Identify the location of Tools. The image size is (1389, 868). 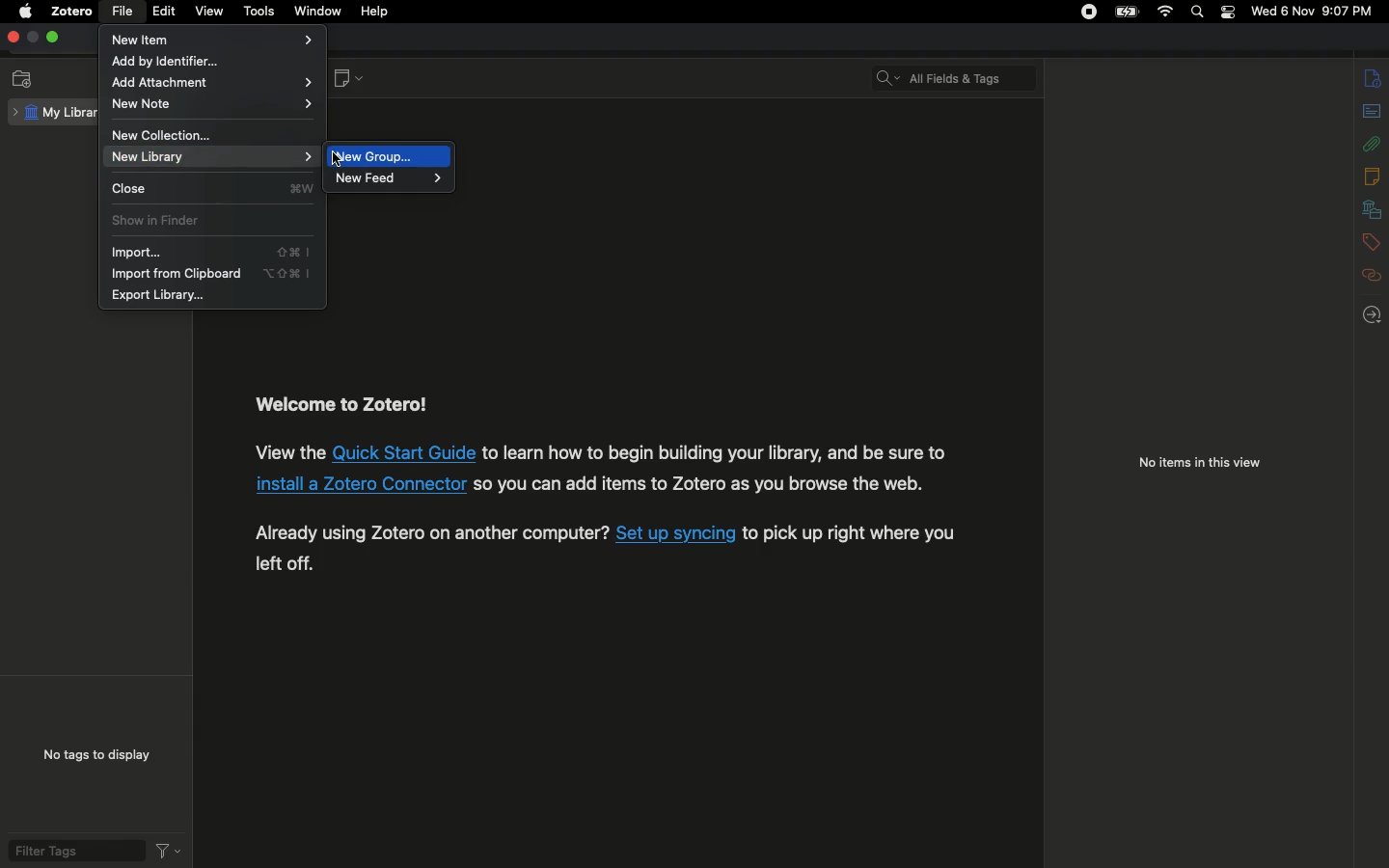
(261, 13).